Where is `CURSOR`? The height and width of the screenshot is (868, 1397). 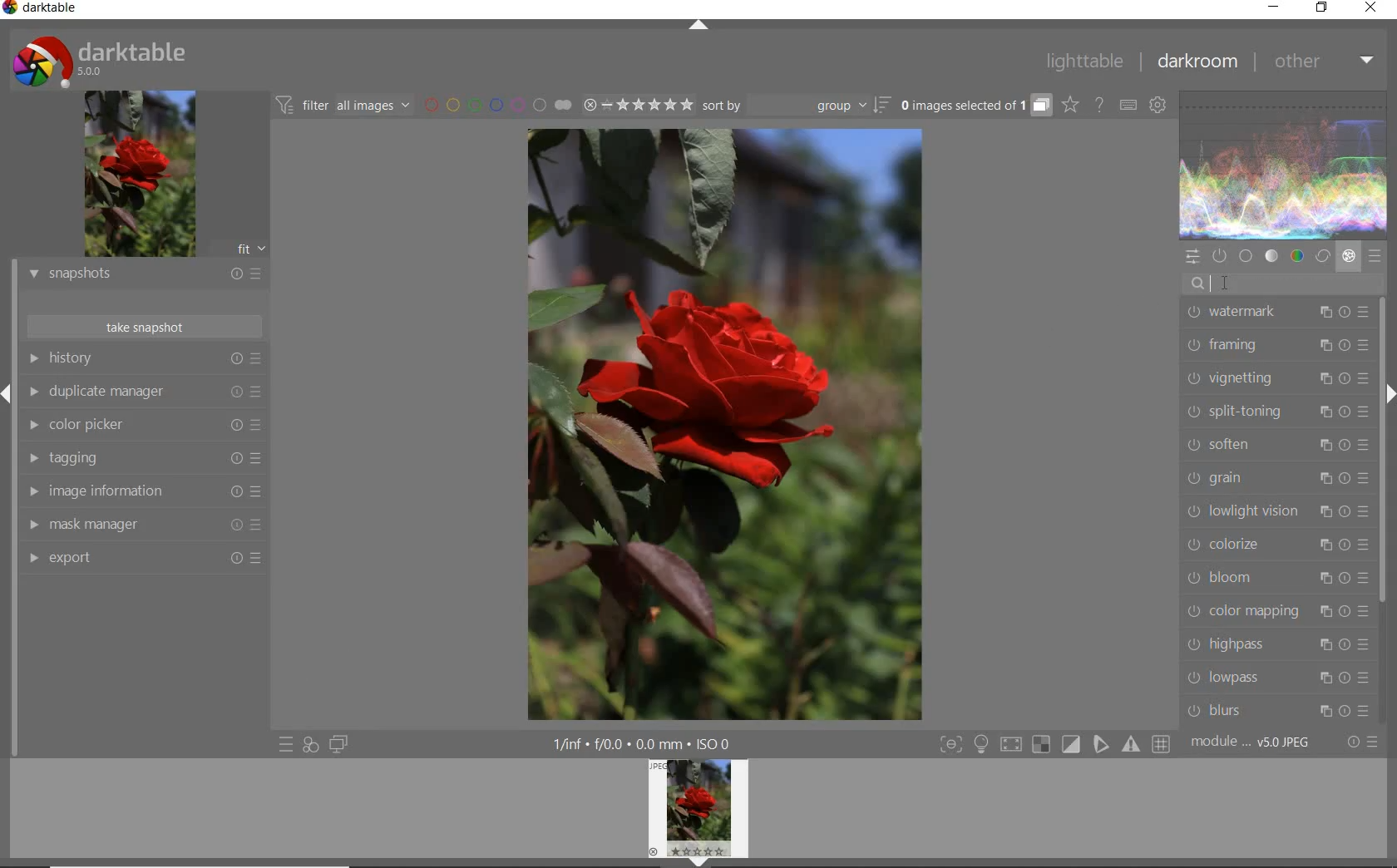 CURSOR is located at coordinates (1226, 286).